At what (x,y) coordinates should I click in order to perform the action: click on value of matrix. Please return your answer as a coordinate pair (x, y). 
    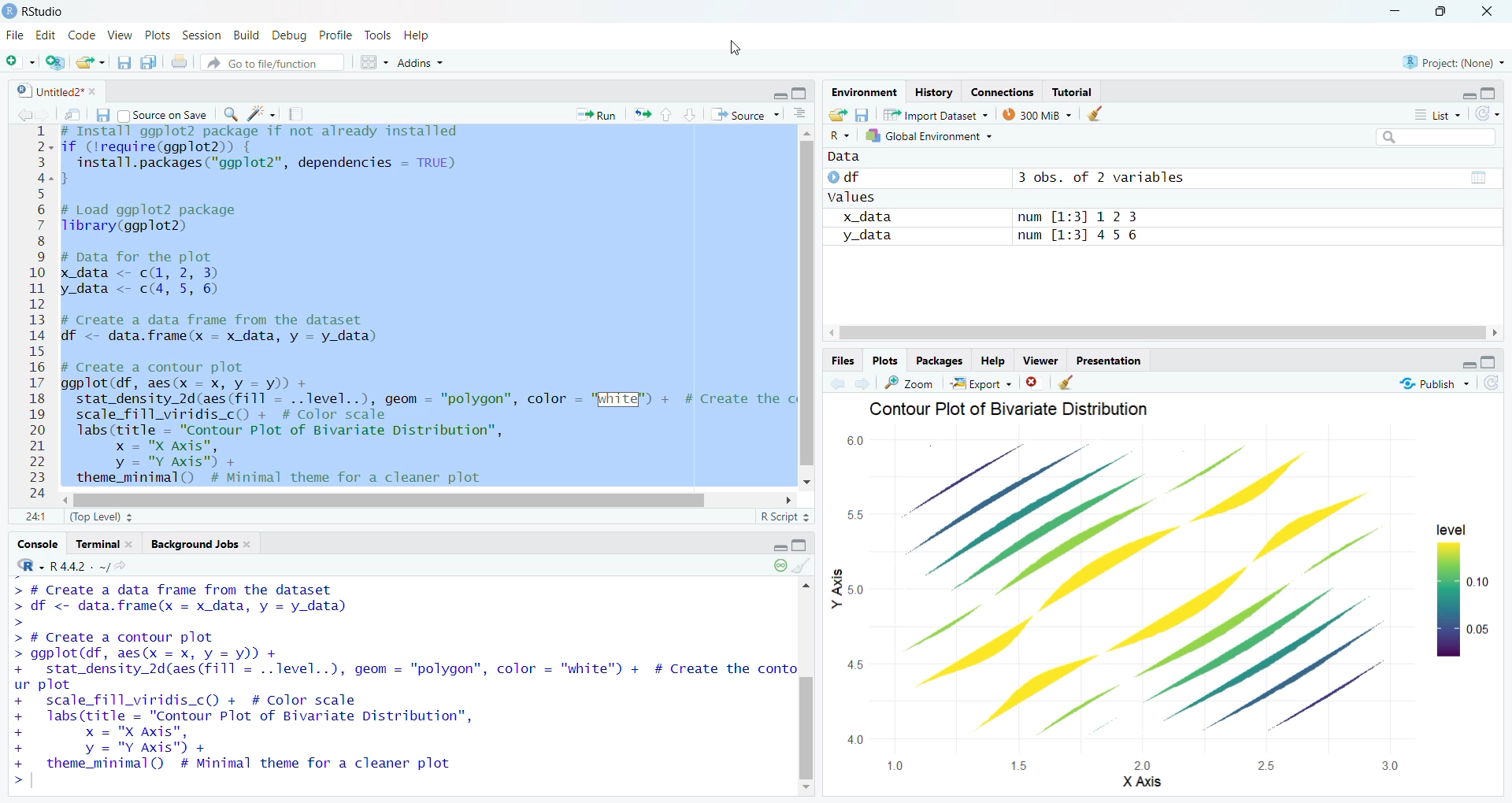
    Looking at the image, I should click on (1477, 178).